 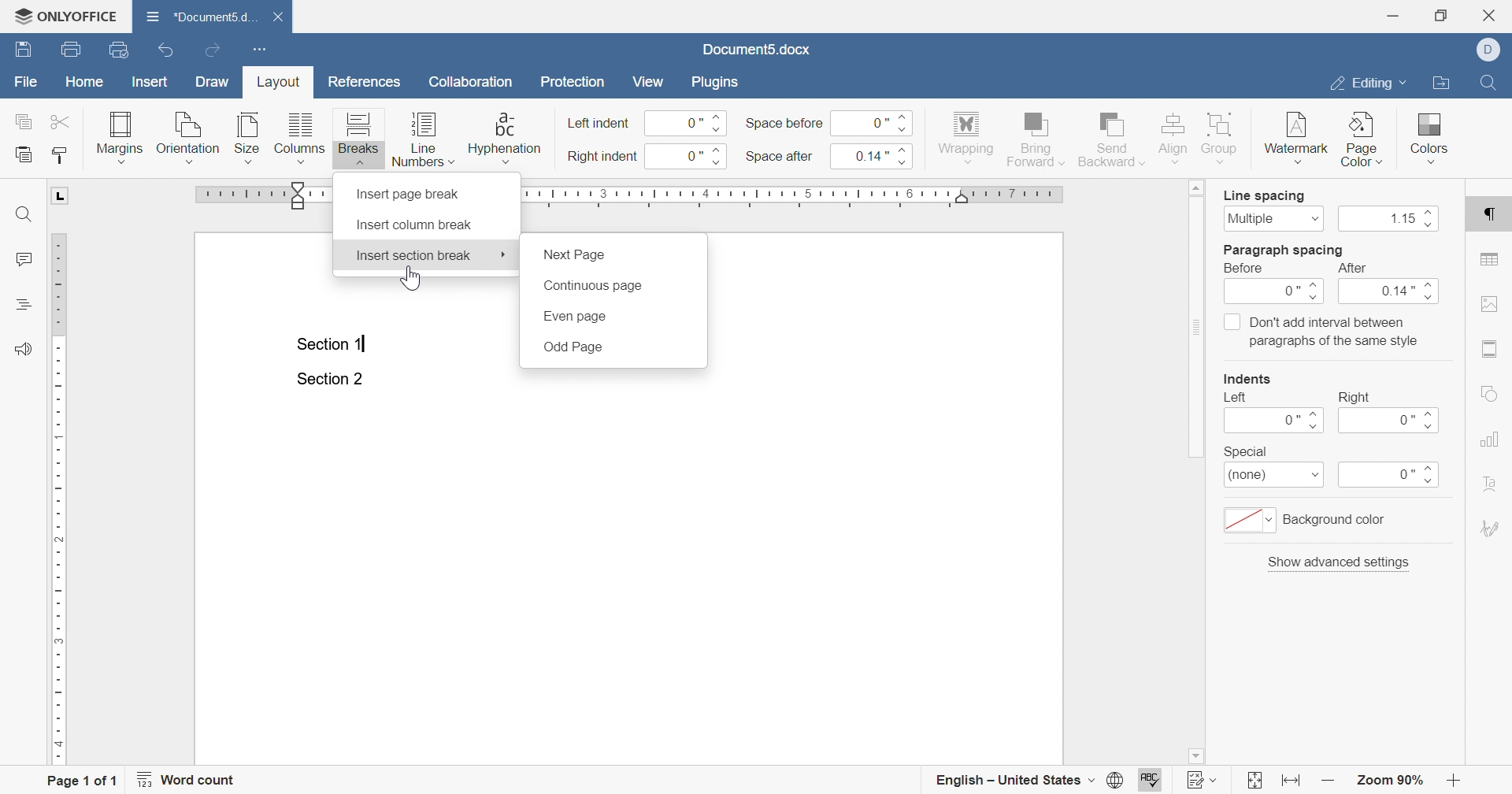 I want to click on save, so click(x=23, y=49).